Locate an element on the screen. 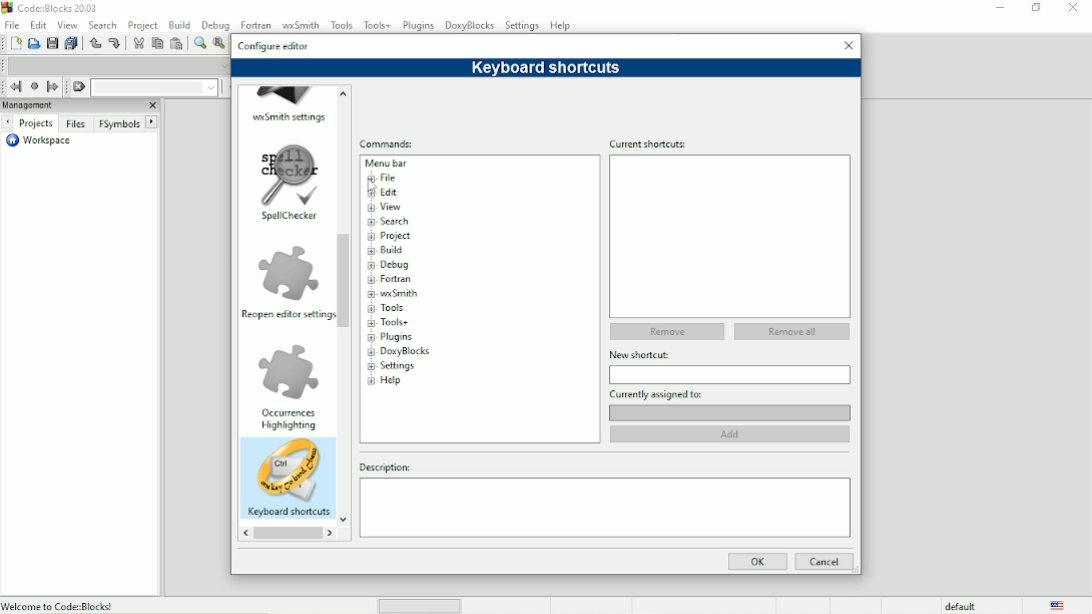  Search is located at coordinates (104, 24).